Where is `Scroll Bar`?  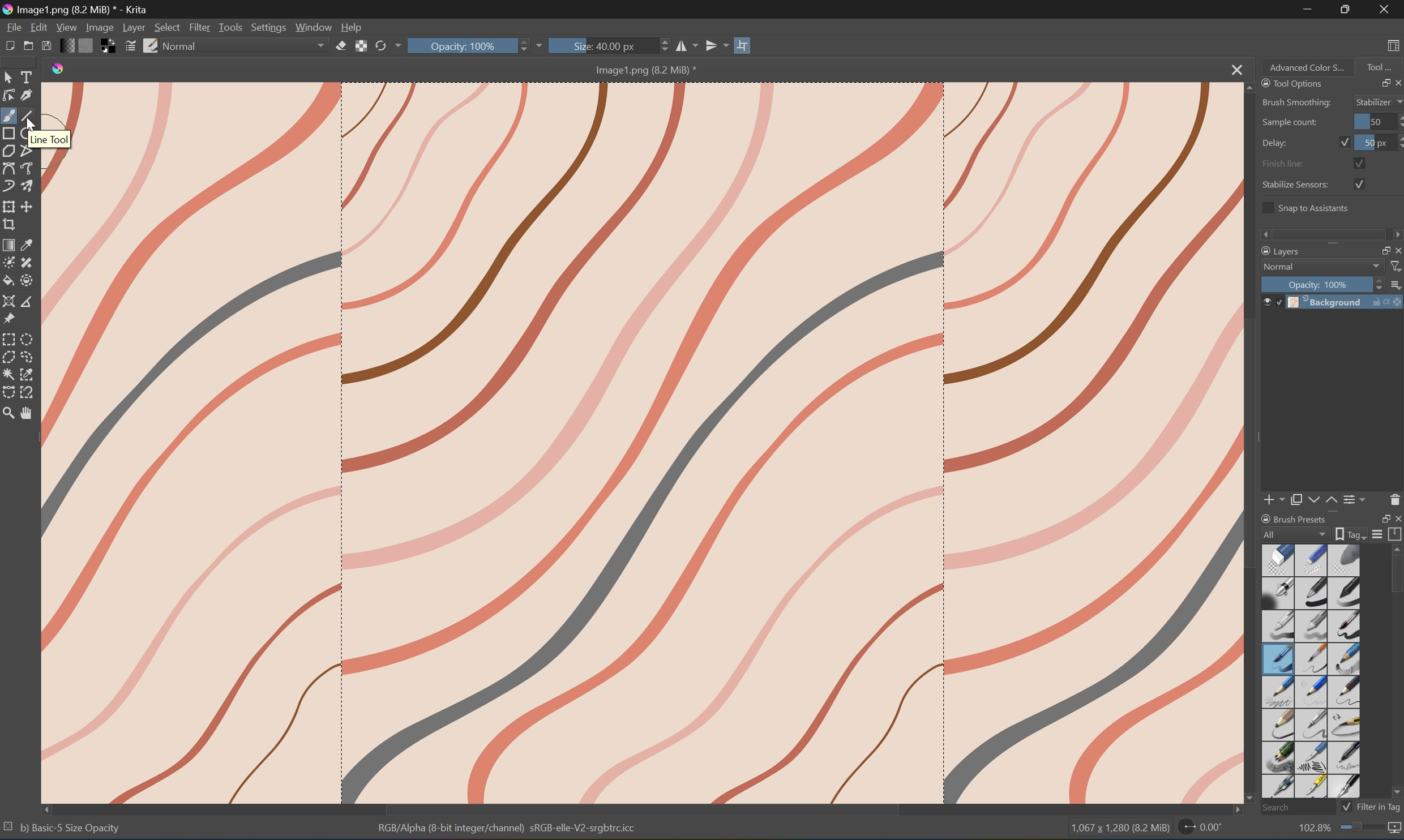 Scroll Bar is located at coordinates (643, 809).